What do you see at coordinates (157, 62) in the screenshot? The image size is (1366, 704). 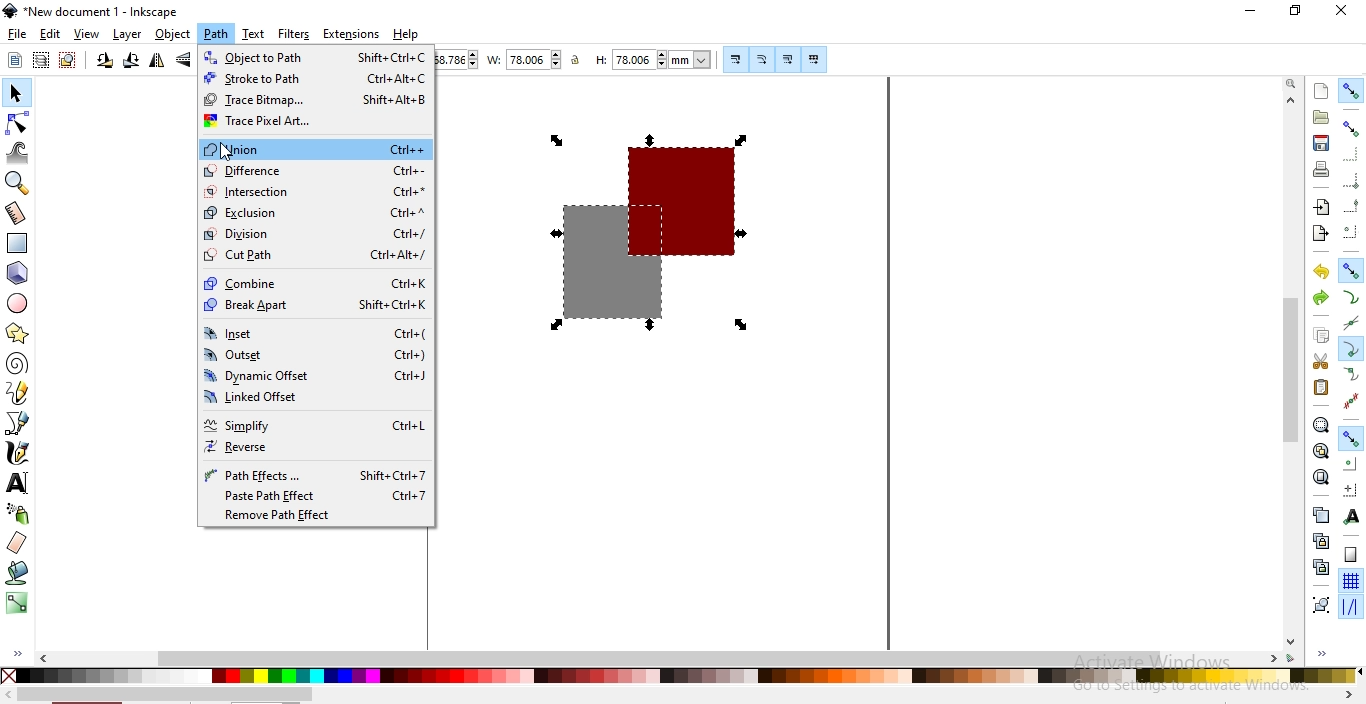 I see `flip horizontal` at bounding box center [157, 62].